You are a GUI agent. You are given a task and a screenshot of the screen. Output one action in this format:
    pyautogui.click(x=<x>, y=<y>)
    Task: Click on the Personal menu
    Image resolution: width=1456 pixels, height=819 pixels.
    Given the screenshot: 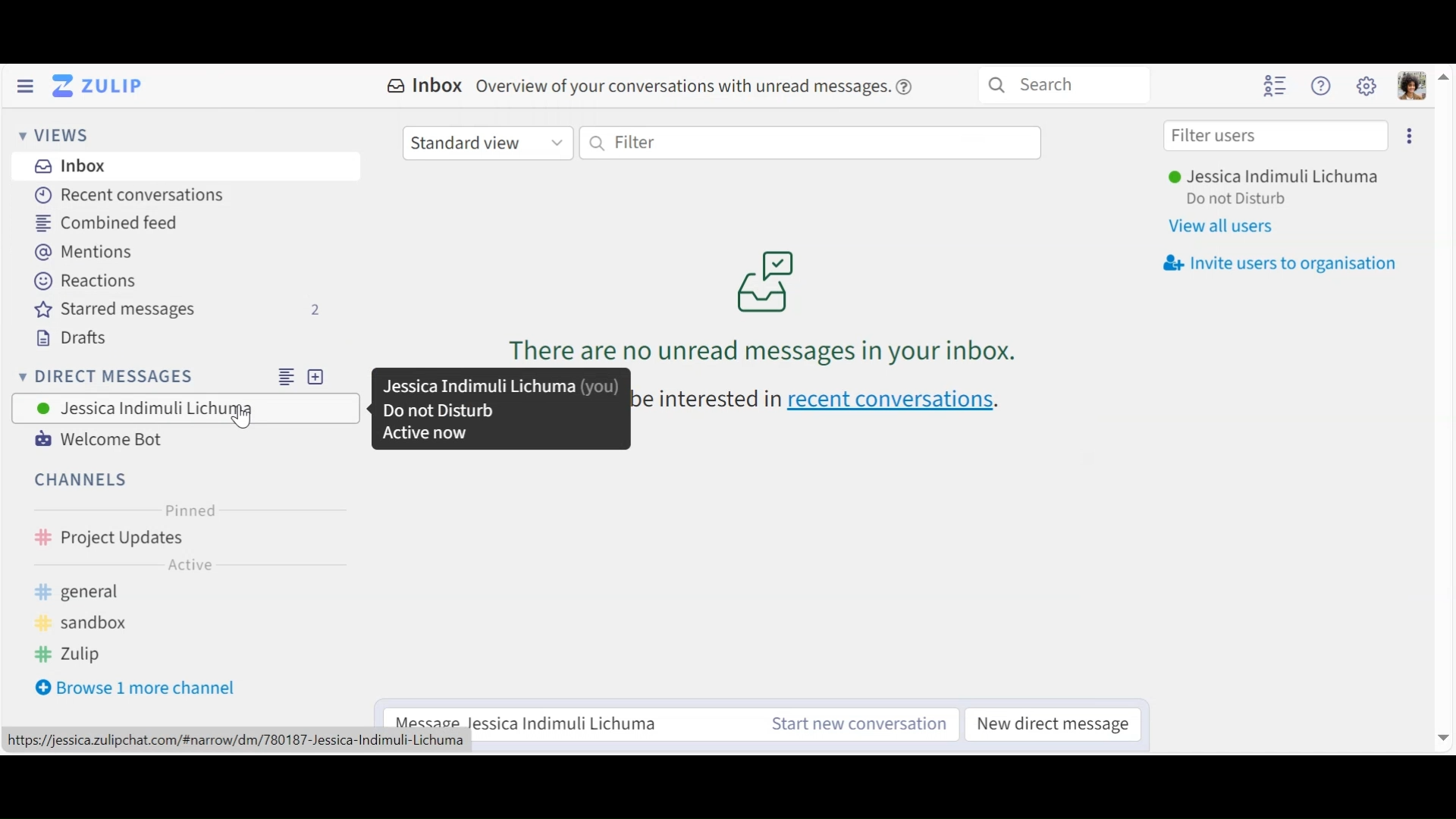 What is the action you would take?
    pyautogui.click(x=1409, y=85)
    